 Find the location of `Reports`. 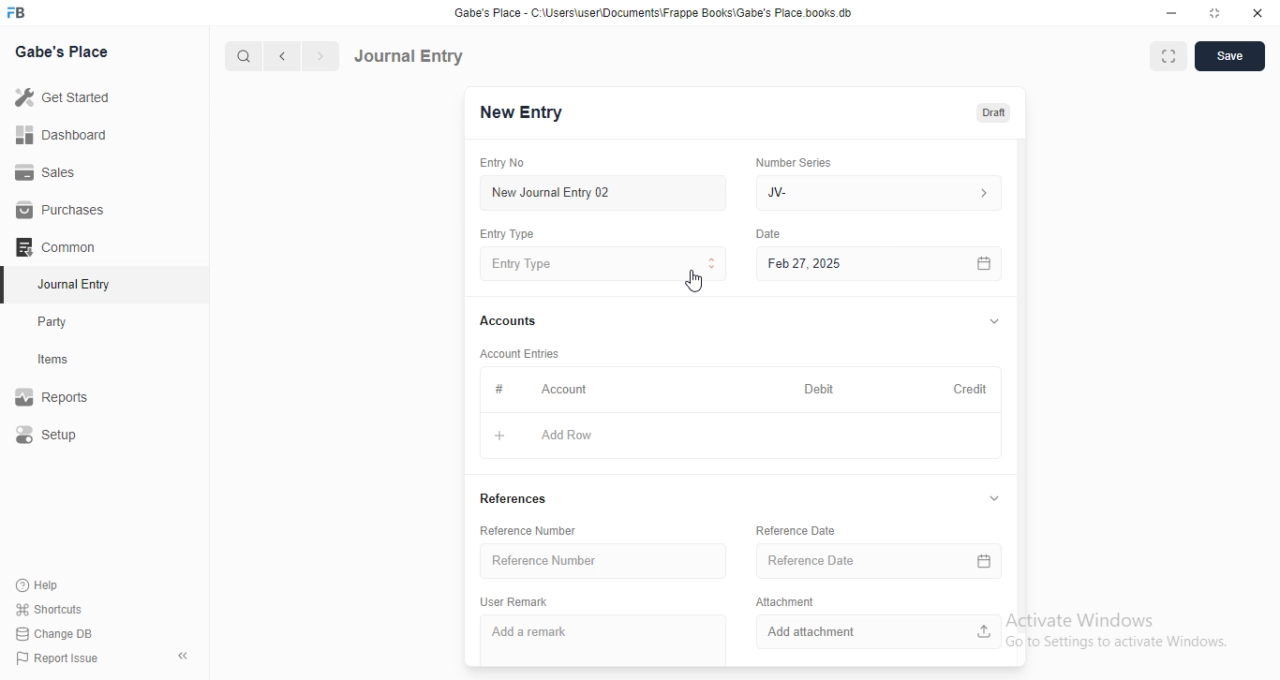

Reports is located at coordinates (53, 394).